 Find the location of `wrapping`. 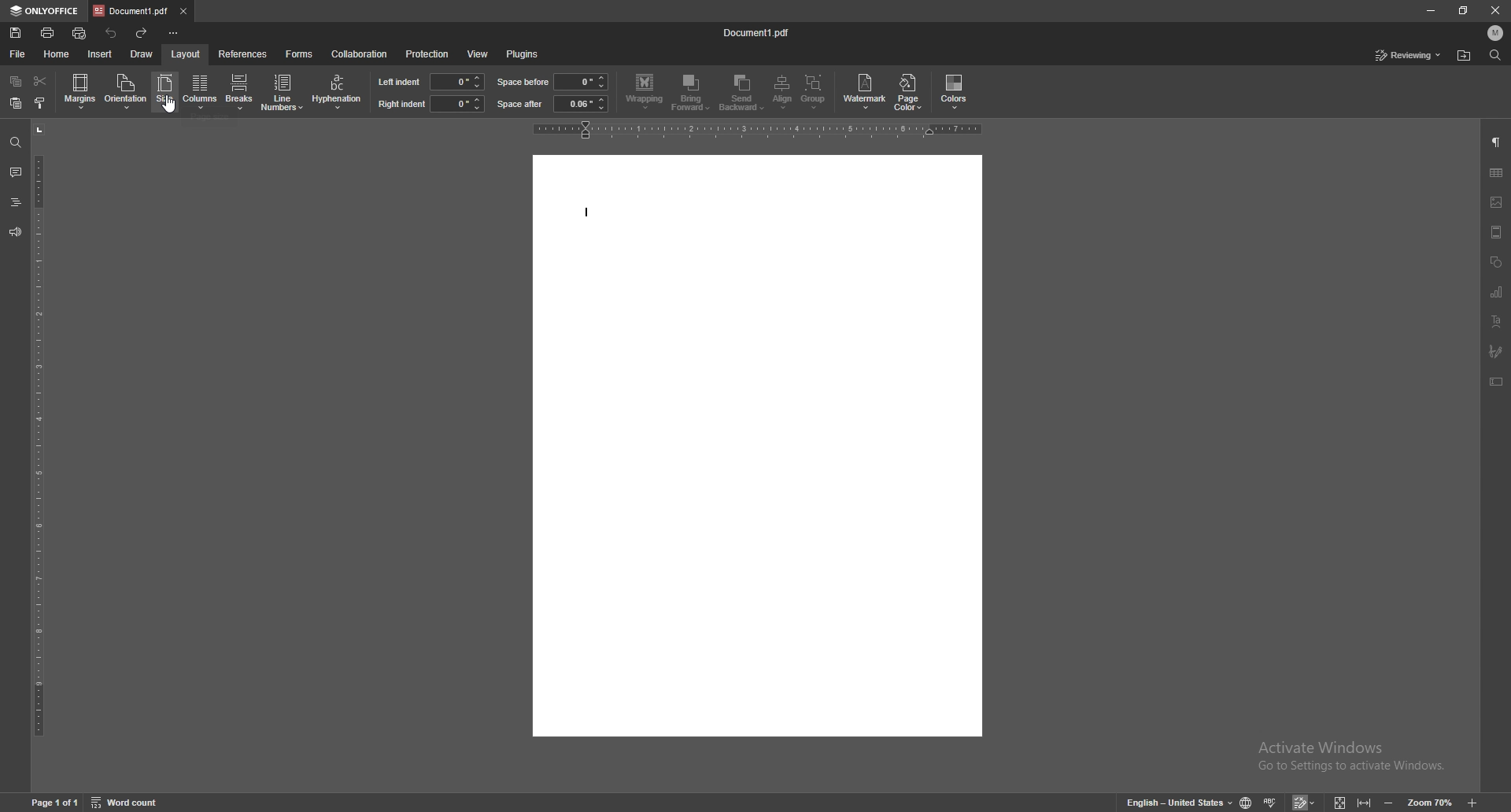

wrapping is located at coordinates (645, 91).